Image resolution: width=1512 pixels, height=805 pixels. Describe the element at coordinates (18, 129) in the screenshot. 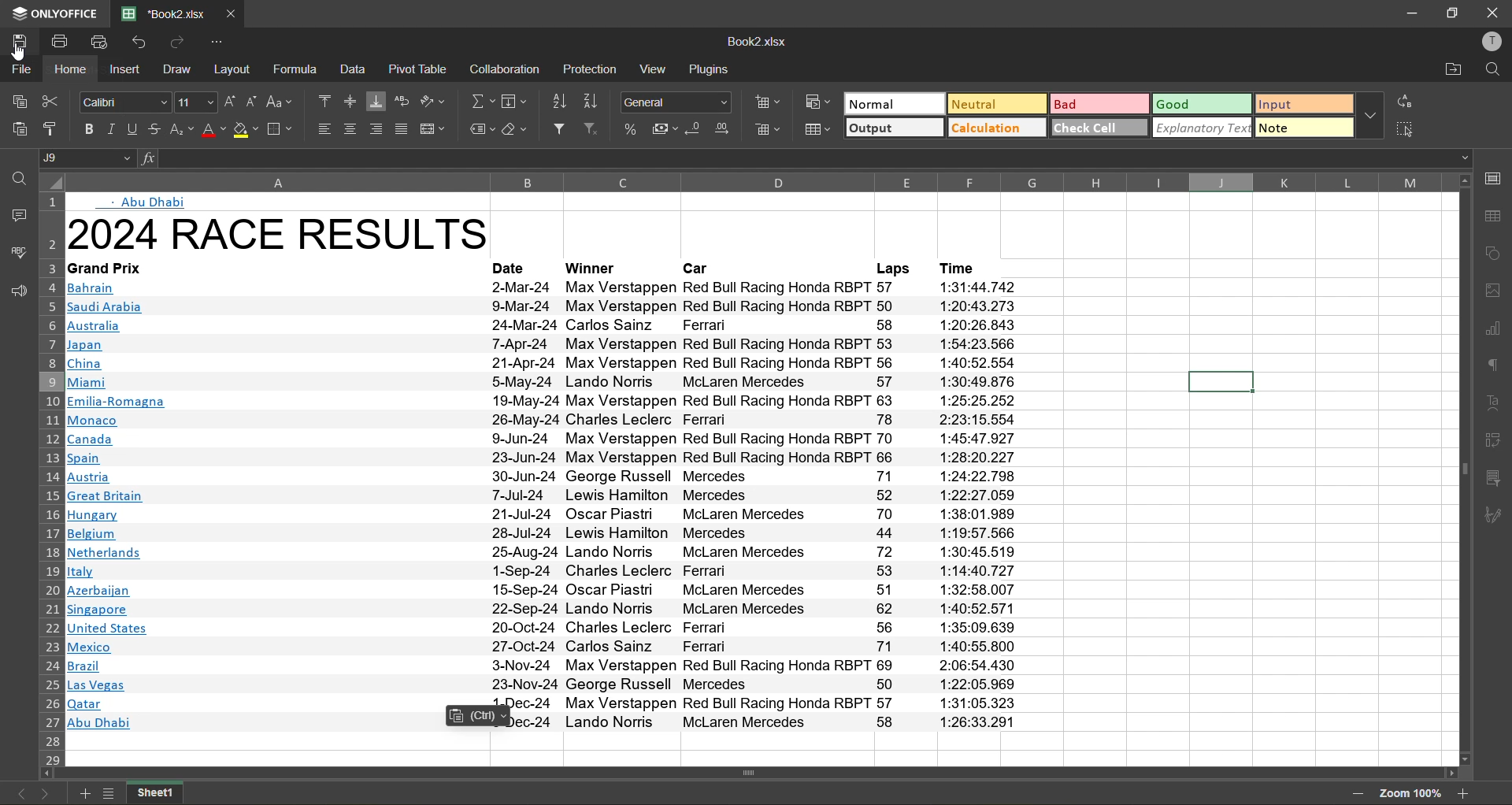

I see `paste` at that location.